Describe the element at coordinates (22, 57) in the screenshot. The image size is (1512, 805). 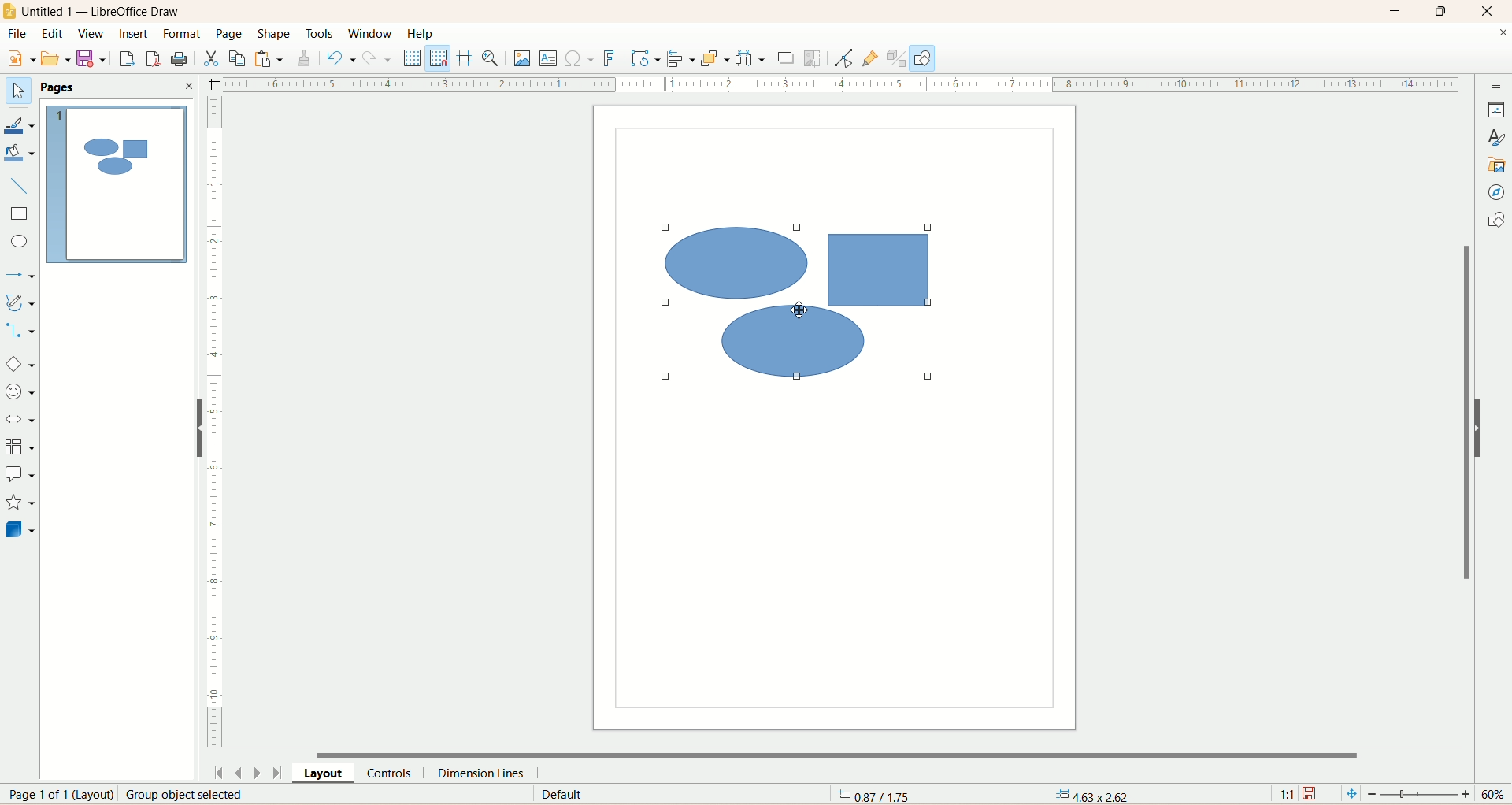
I see `new` at that location.